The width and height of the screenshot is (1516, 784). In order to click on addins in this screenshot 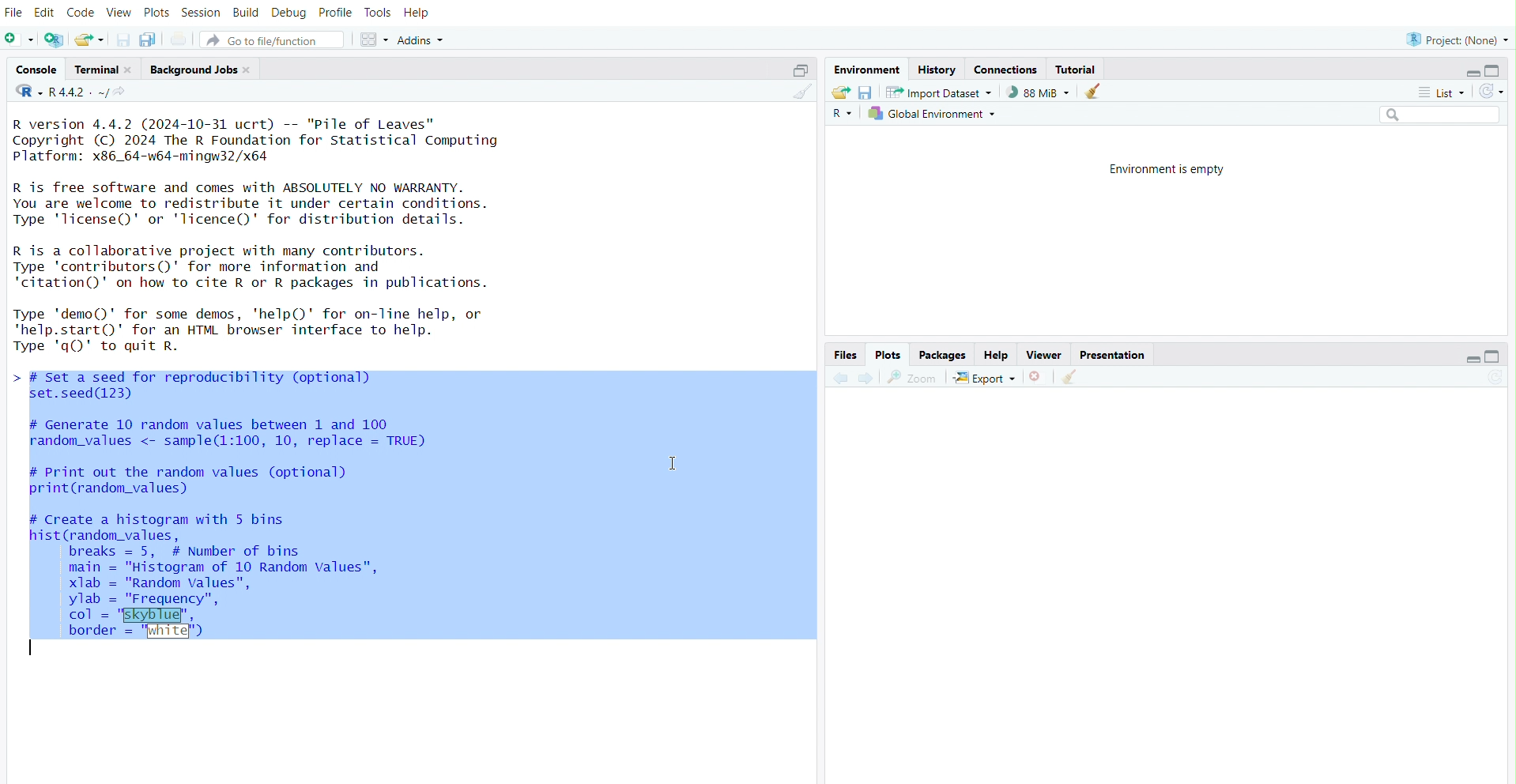, I will do `click(424, 38)`.